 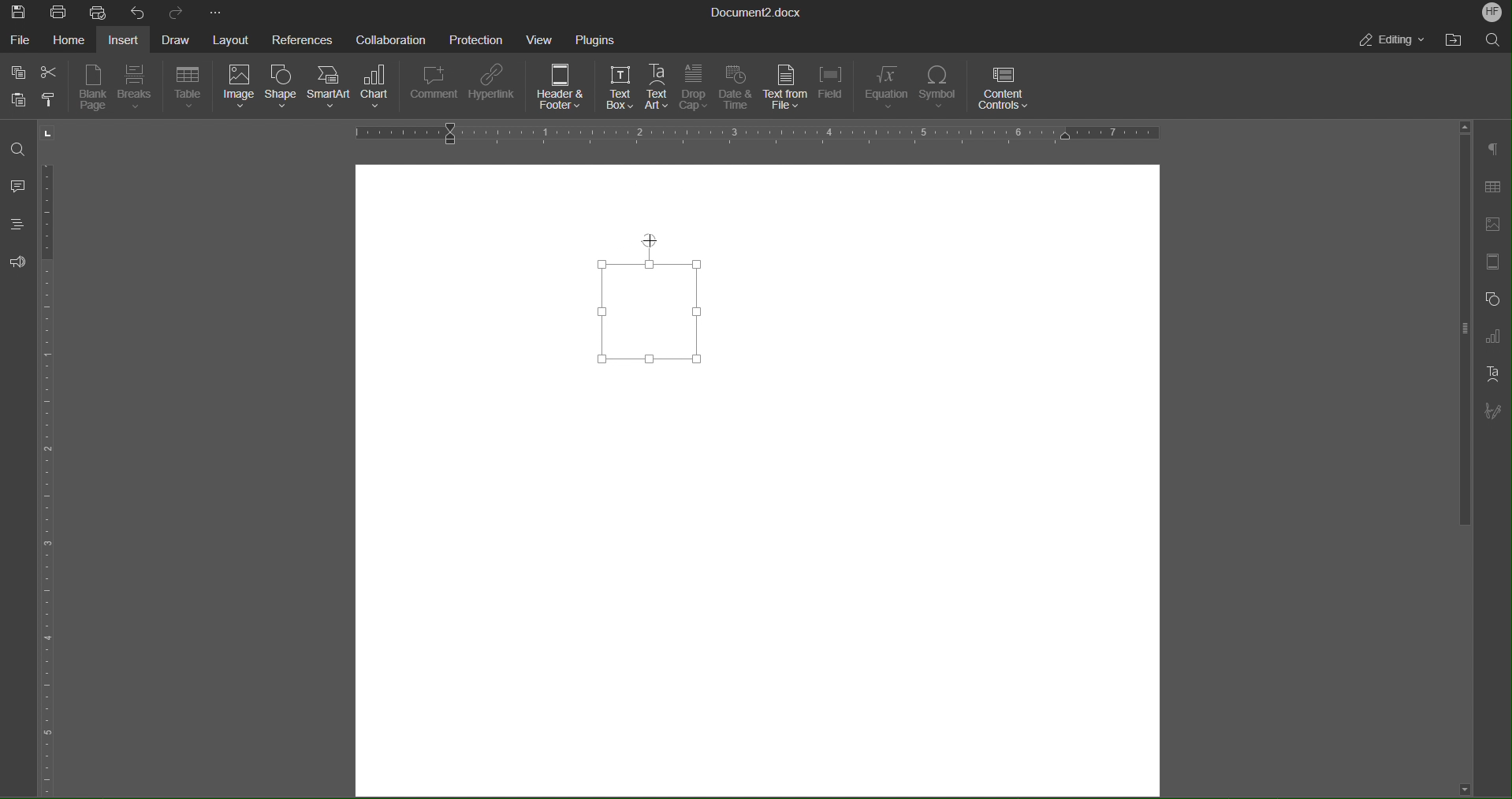 I want to click on Textbox, so click(x=659, y=303).